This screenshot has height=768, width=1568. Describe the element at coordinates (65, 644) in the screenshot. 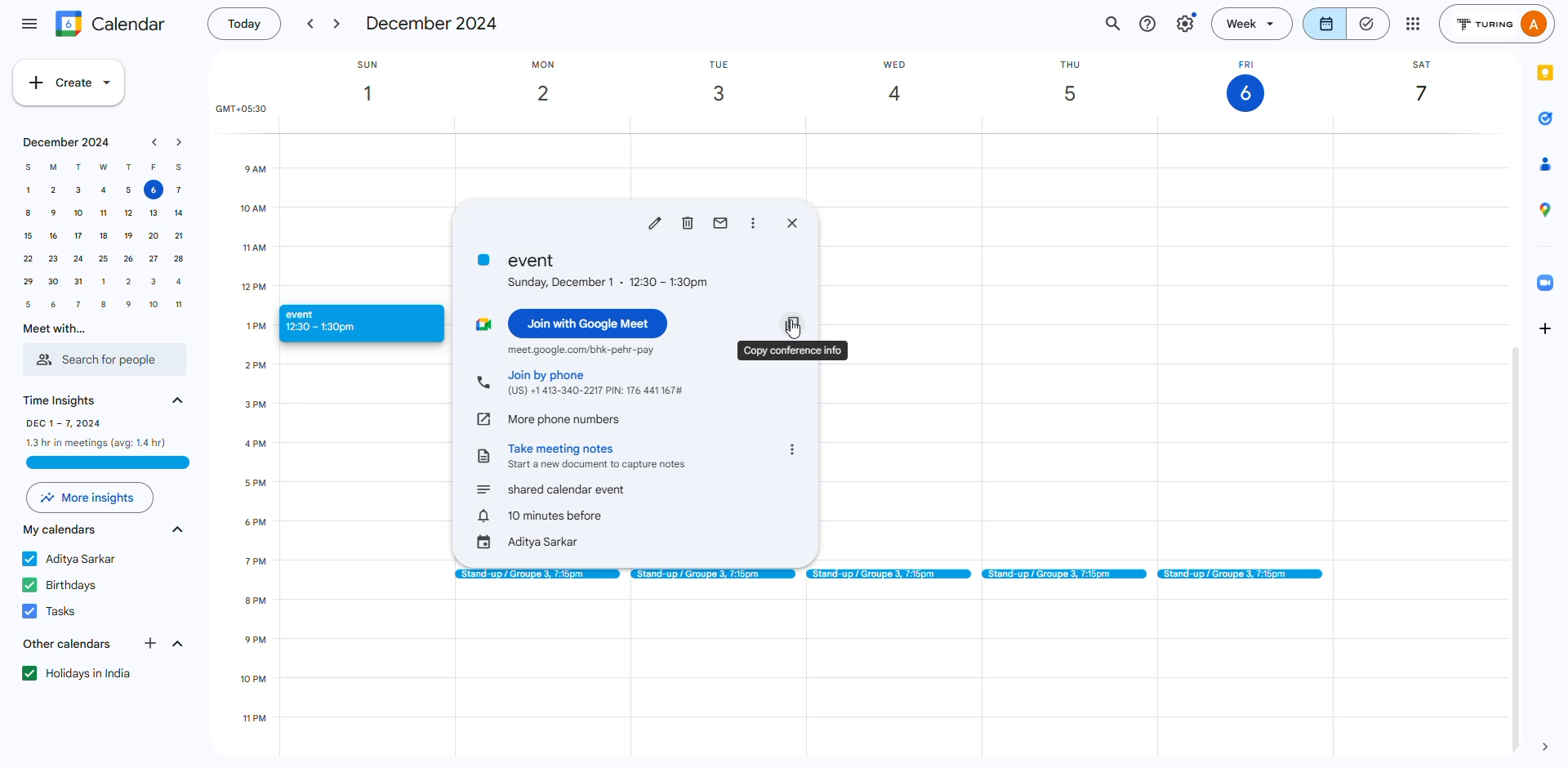

I see `other` at that location.